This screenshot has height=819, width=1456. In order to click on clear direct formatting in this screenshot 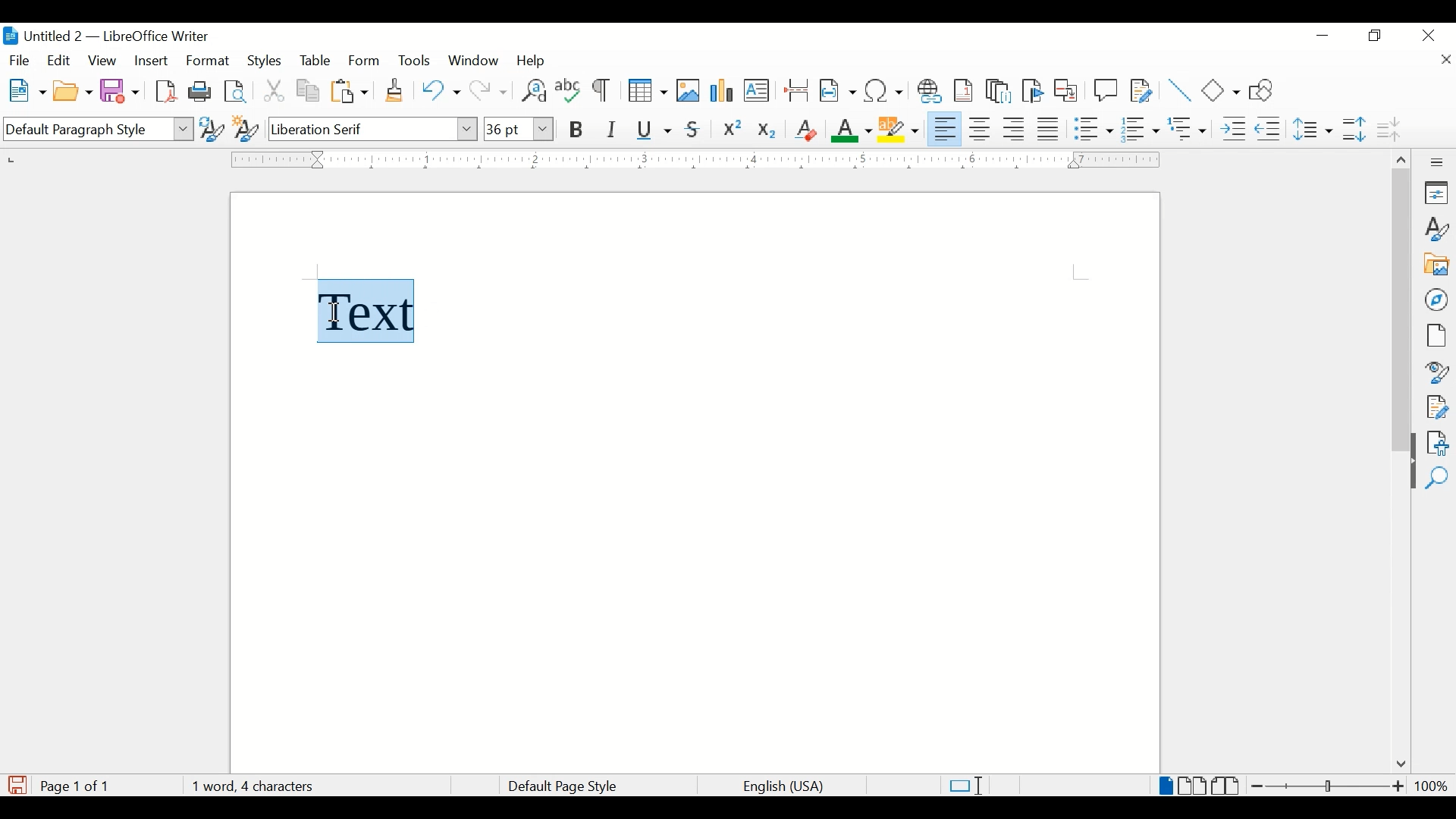, I will do `click(805, 130)`.